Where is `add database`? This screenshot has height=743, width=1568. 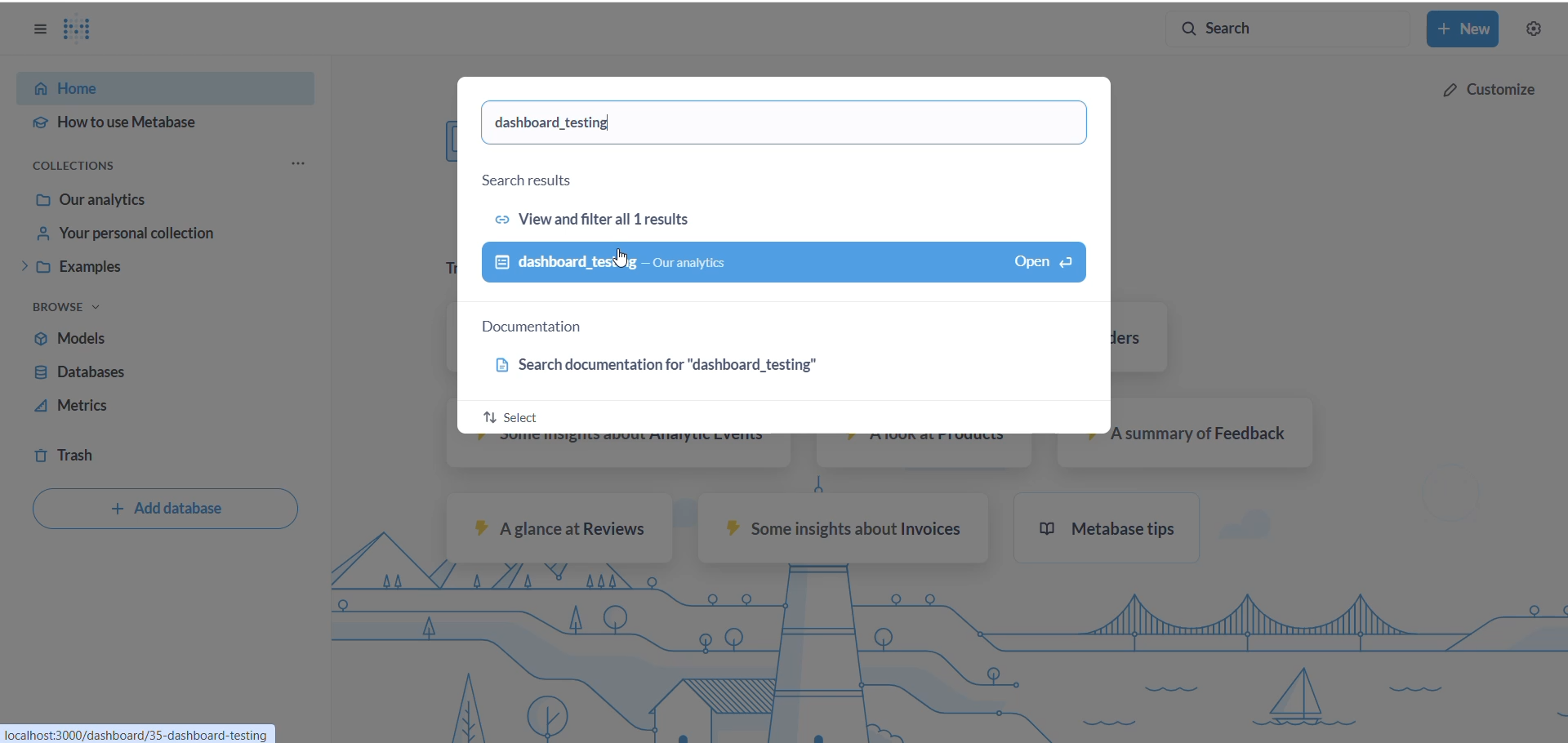
add database is located at coordinates (166, 510).